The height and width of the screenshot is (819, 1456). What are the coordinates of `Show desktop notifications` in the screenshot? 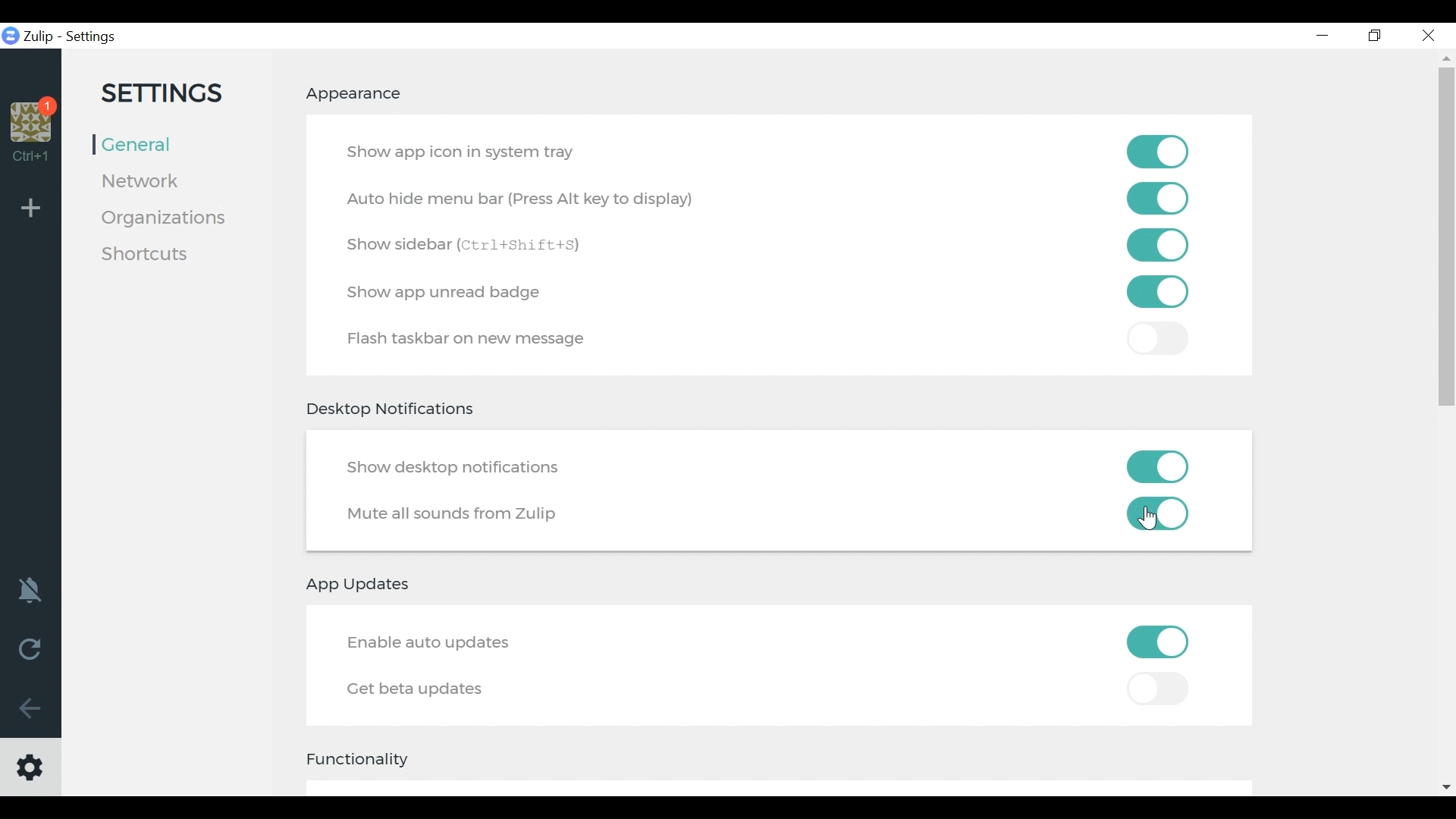 It's located at (457, 467).